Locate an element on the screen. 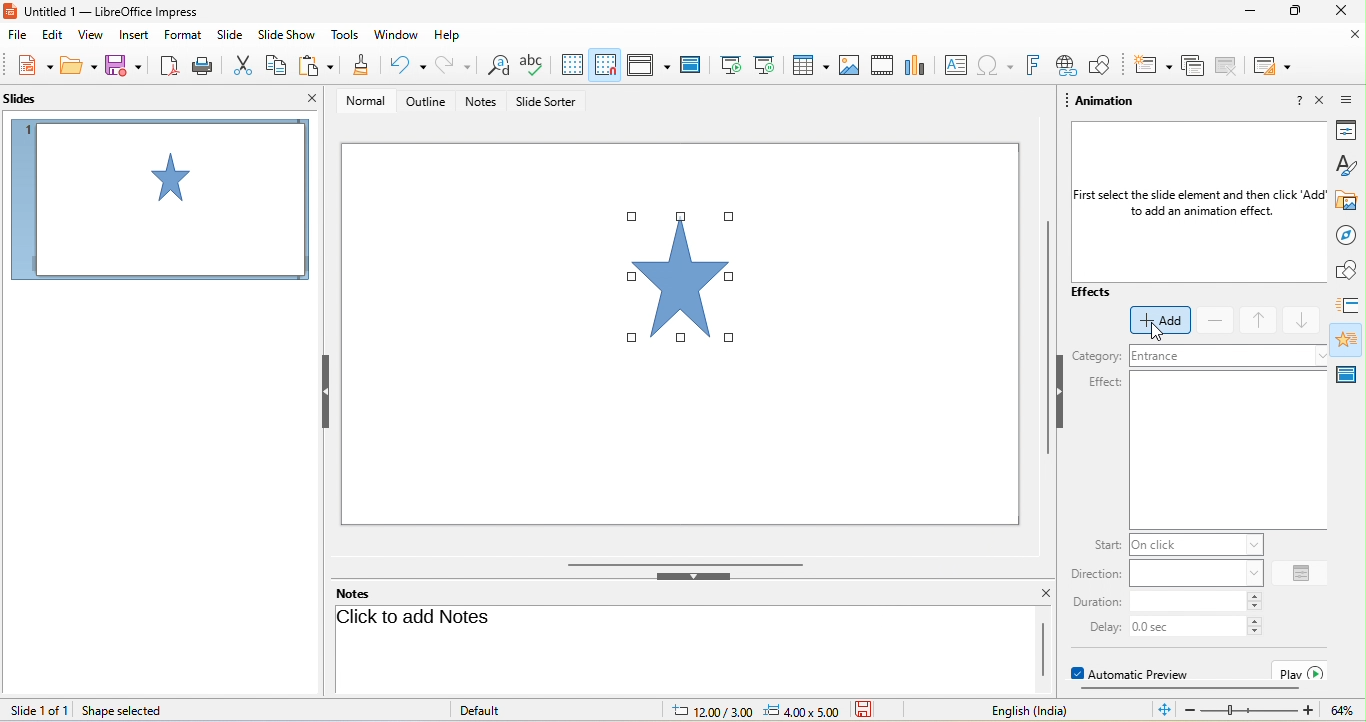 The image size is (1366, 722). close is located at coordinates (308, 99).